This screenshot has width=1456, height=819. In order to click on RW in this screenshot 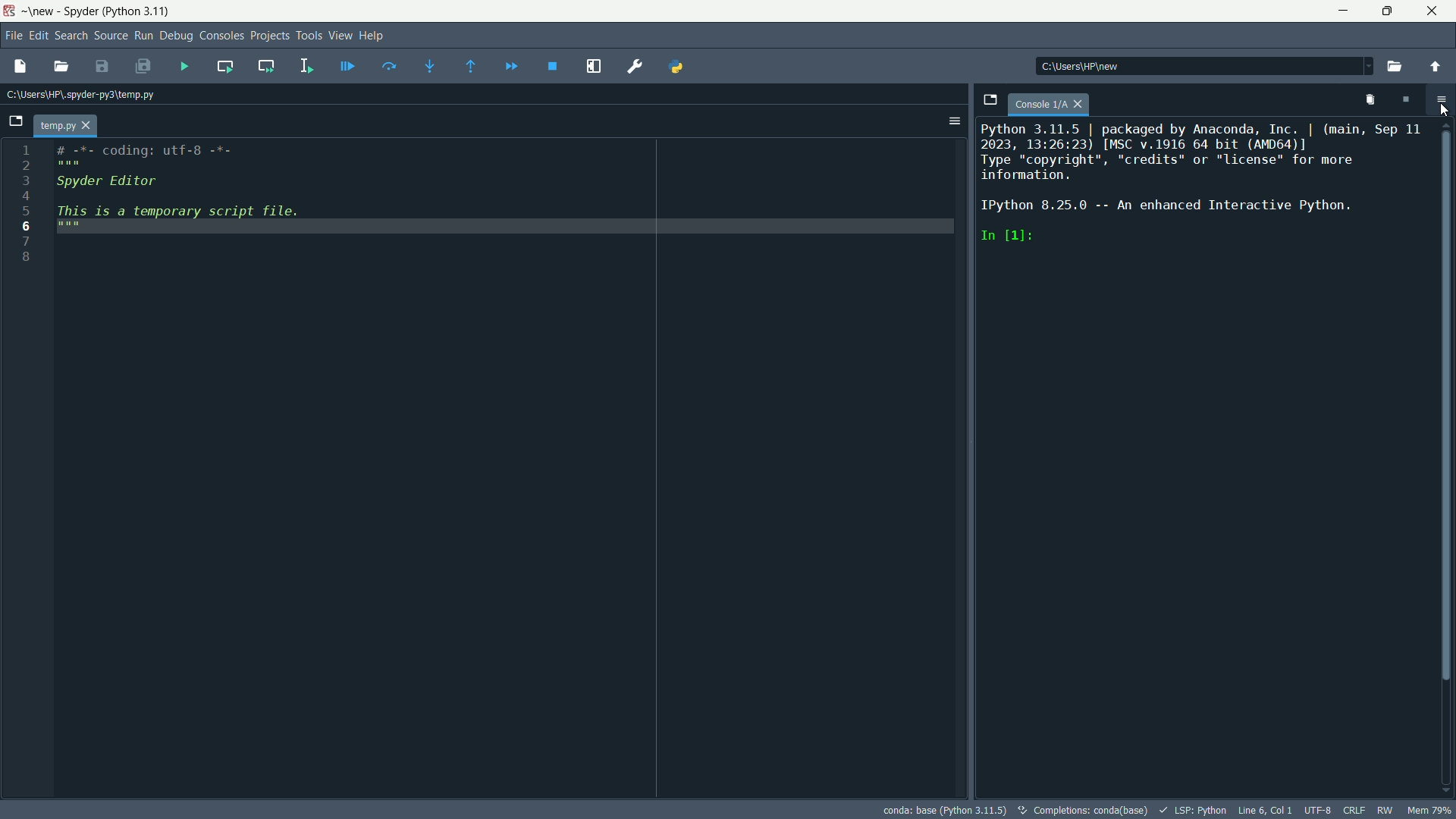, I will do `click(1384, 810)`.